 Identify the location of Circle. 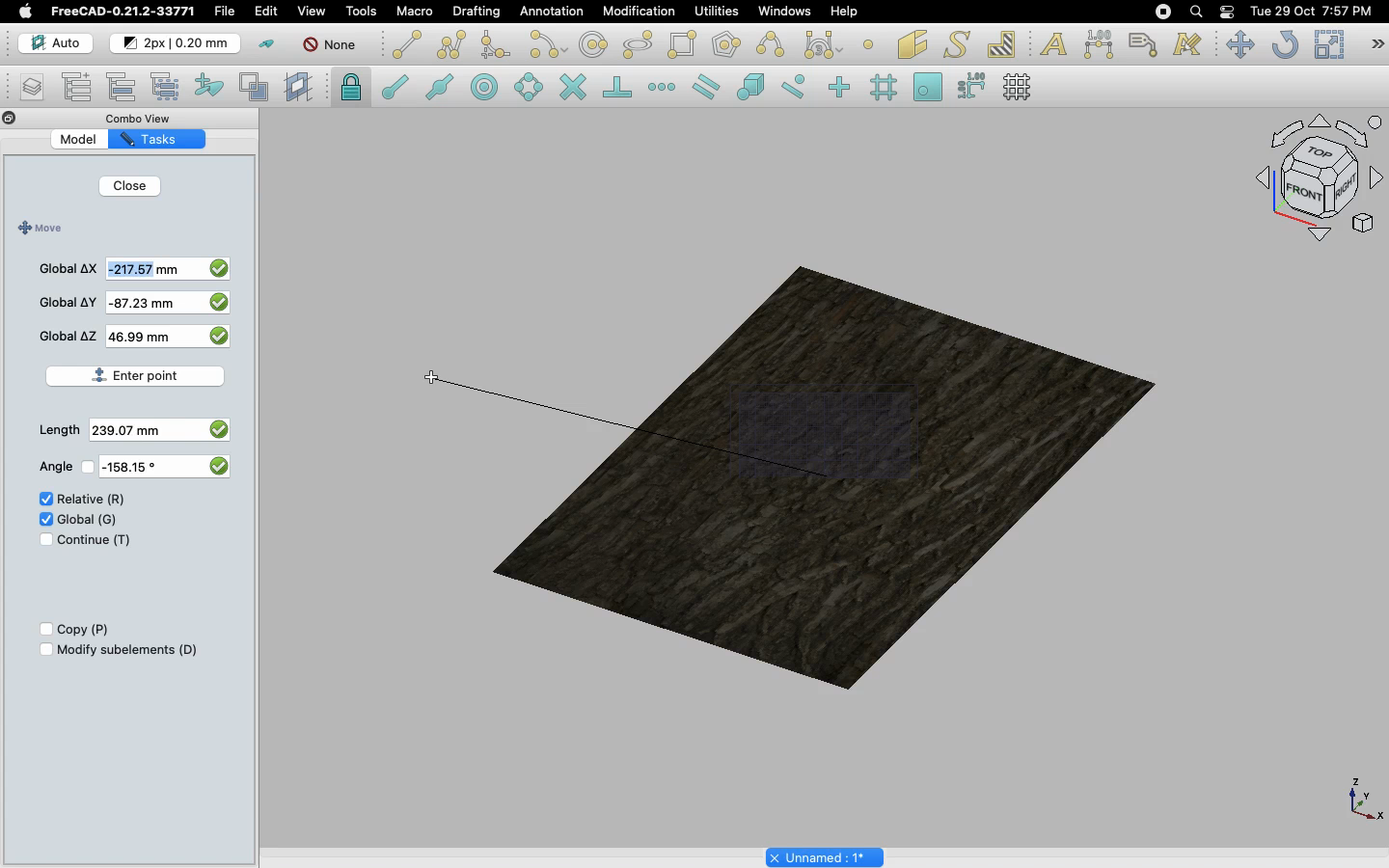
(594, 47).